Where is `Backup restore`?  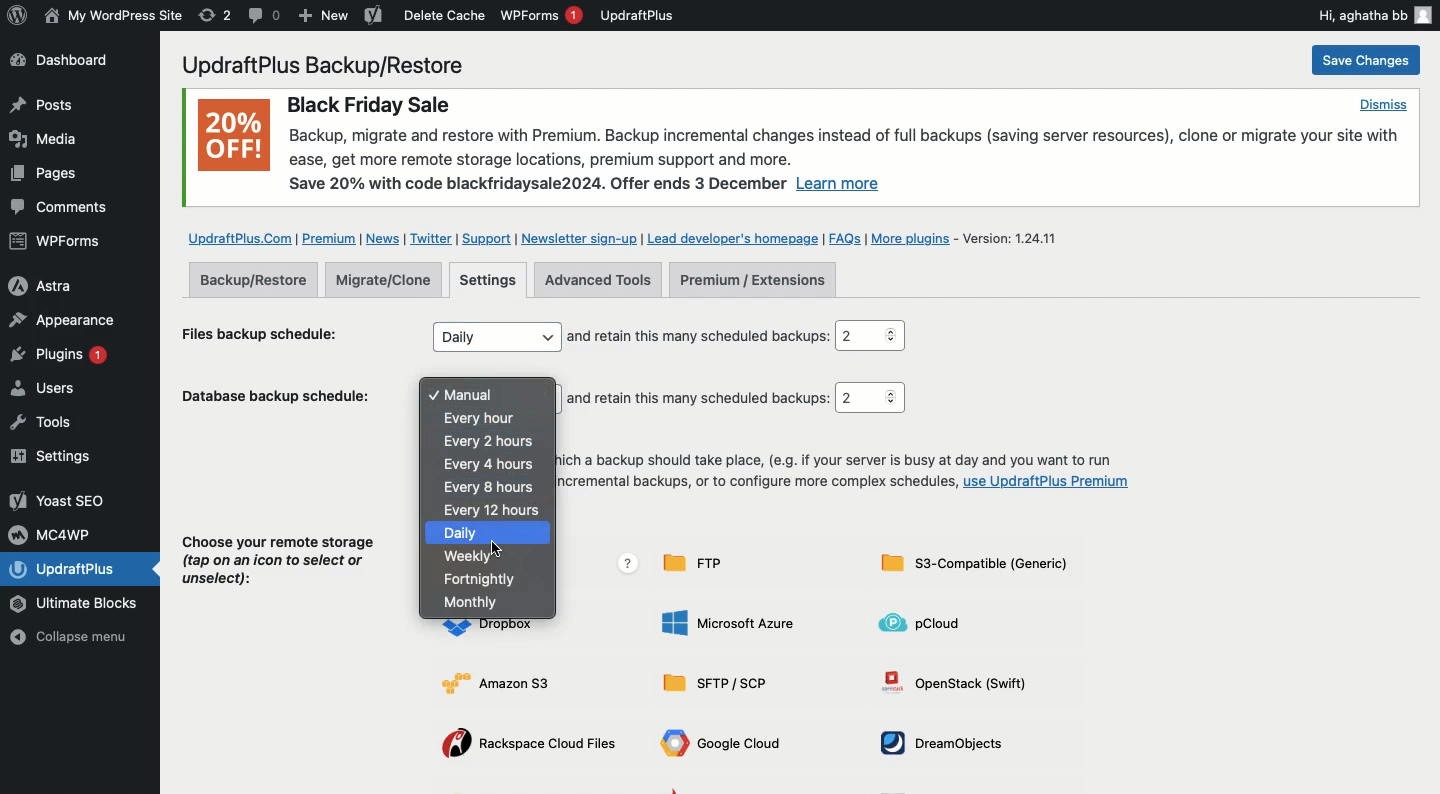 Backup restore is located at coordinates (253, 279).